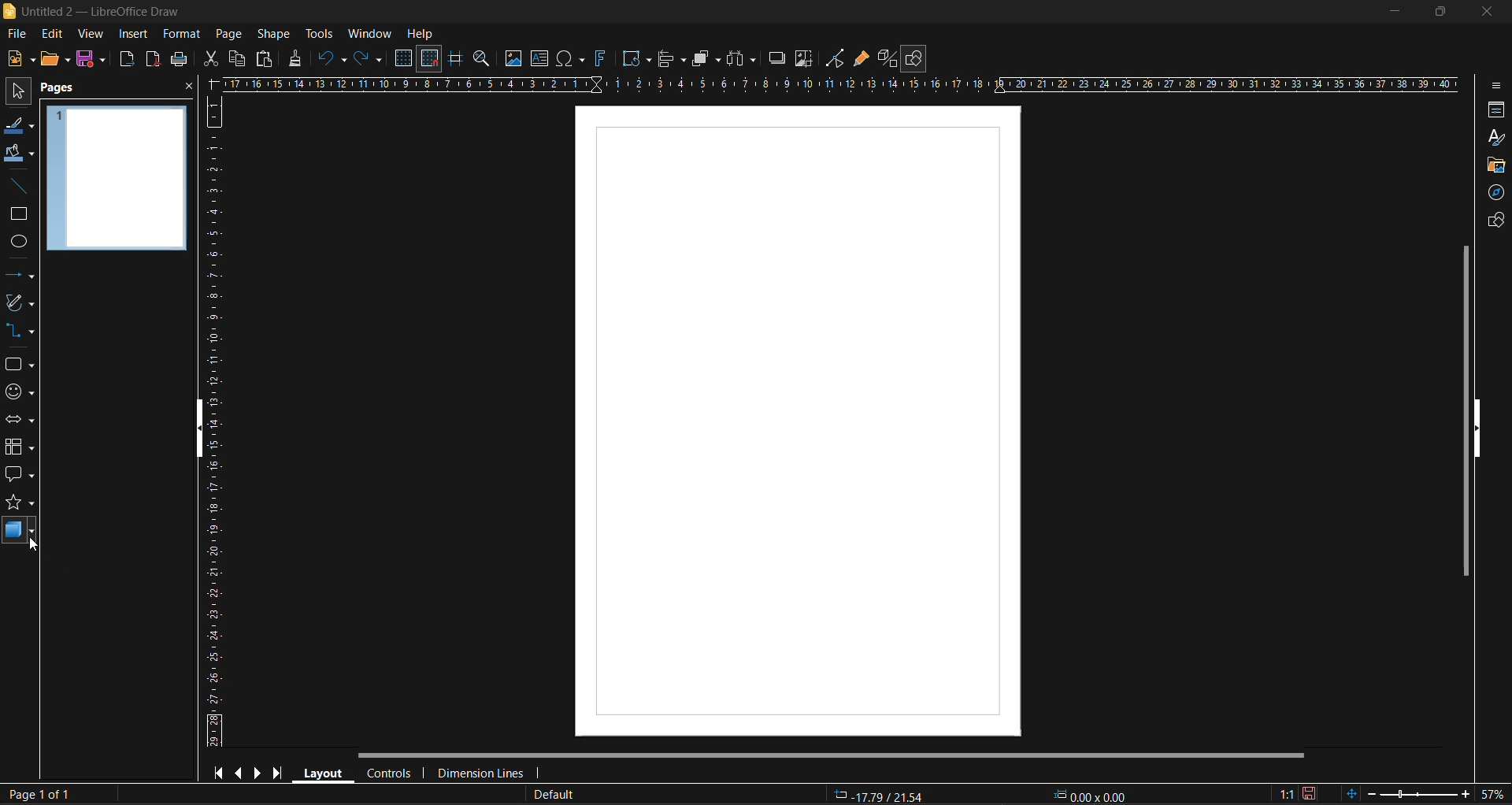 This screenshot has height=805, width=1512. Describe the element at coordinates (369, 33) in the screenshot. I see `window` at that location.